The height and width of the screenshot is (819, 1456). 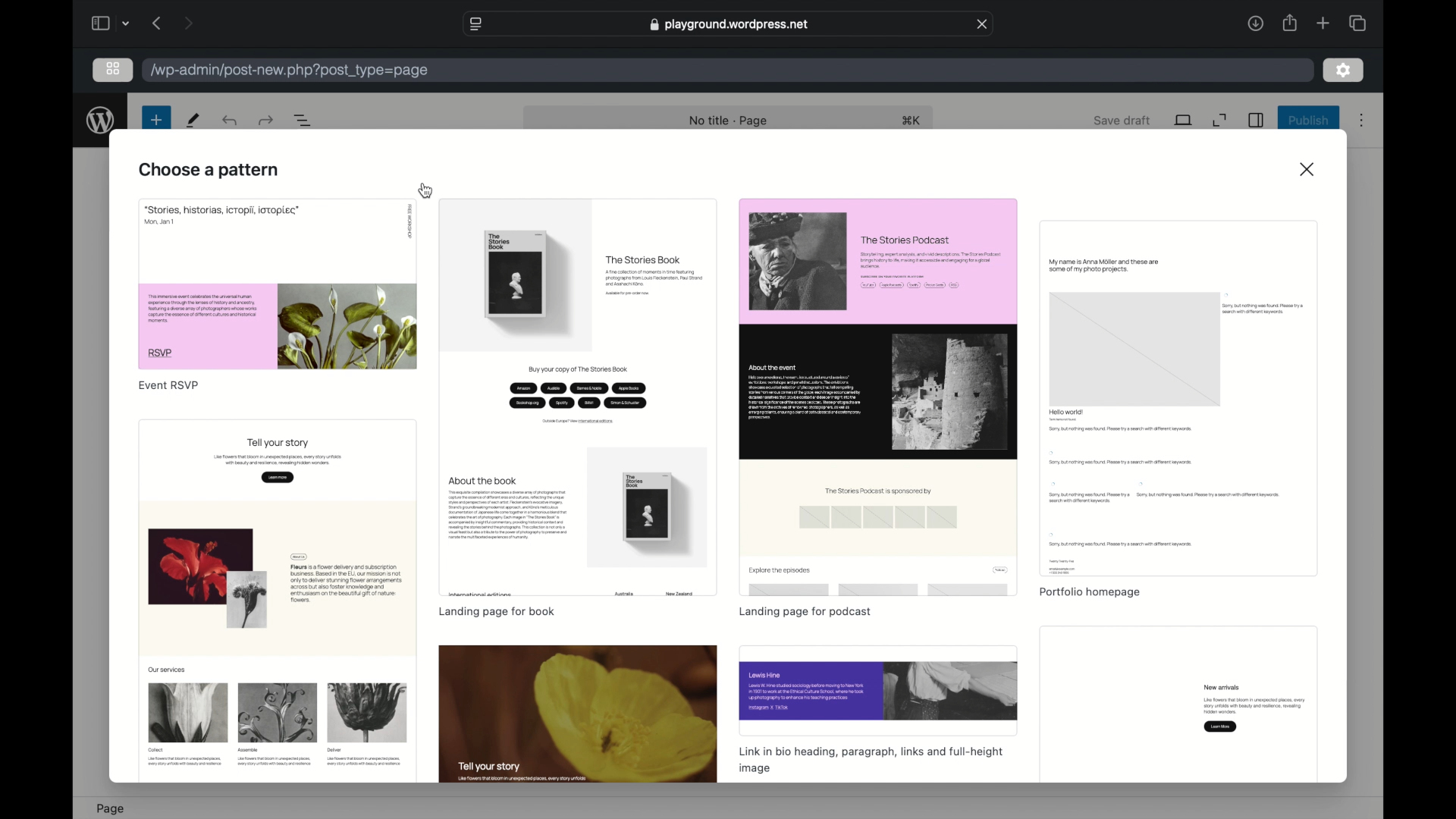 I want to click on downloads, so click(x=1256, y=23).